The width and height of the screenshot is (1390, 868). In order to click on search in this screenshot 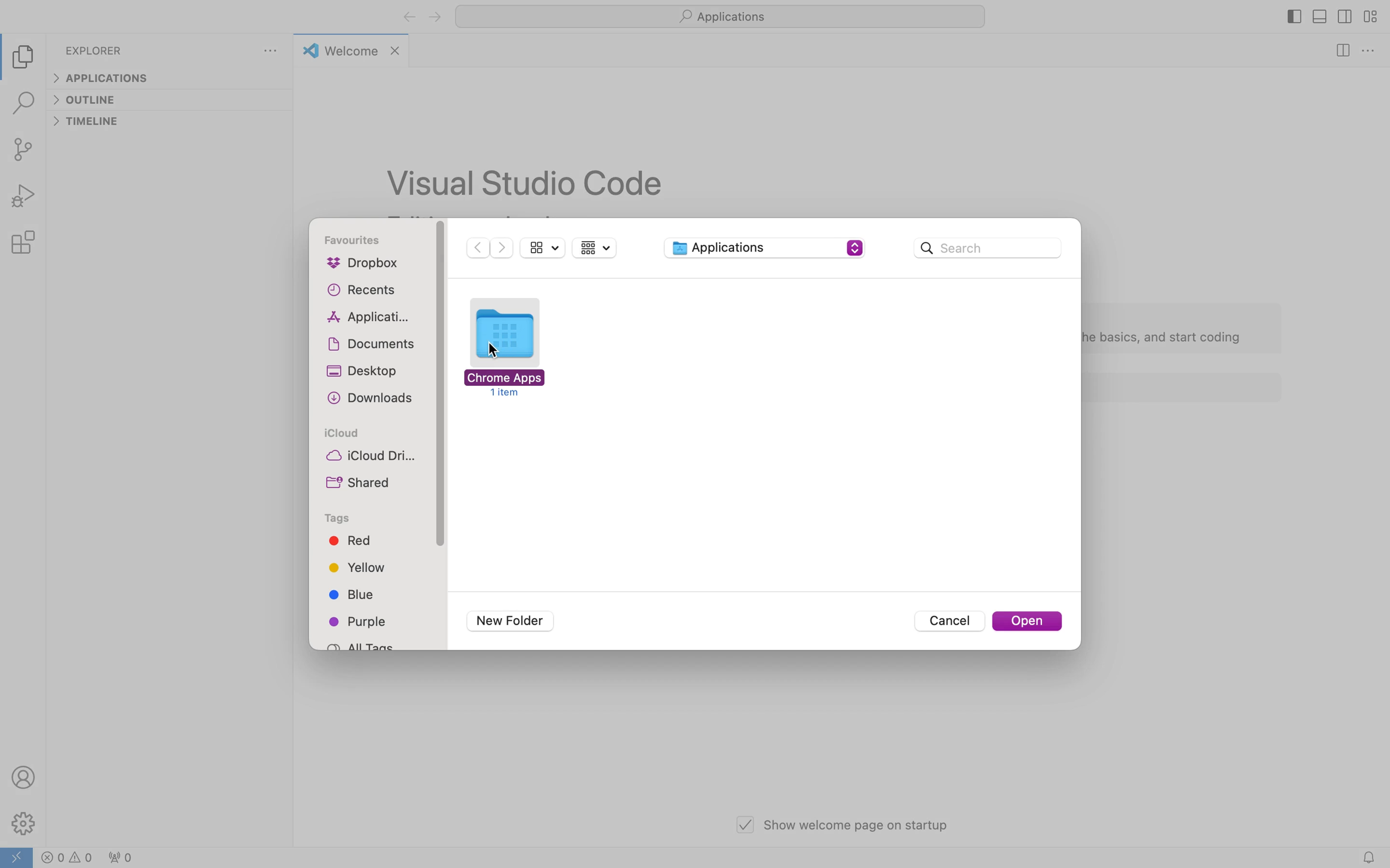, I will do `click(988, 247)`.